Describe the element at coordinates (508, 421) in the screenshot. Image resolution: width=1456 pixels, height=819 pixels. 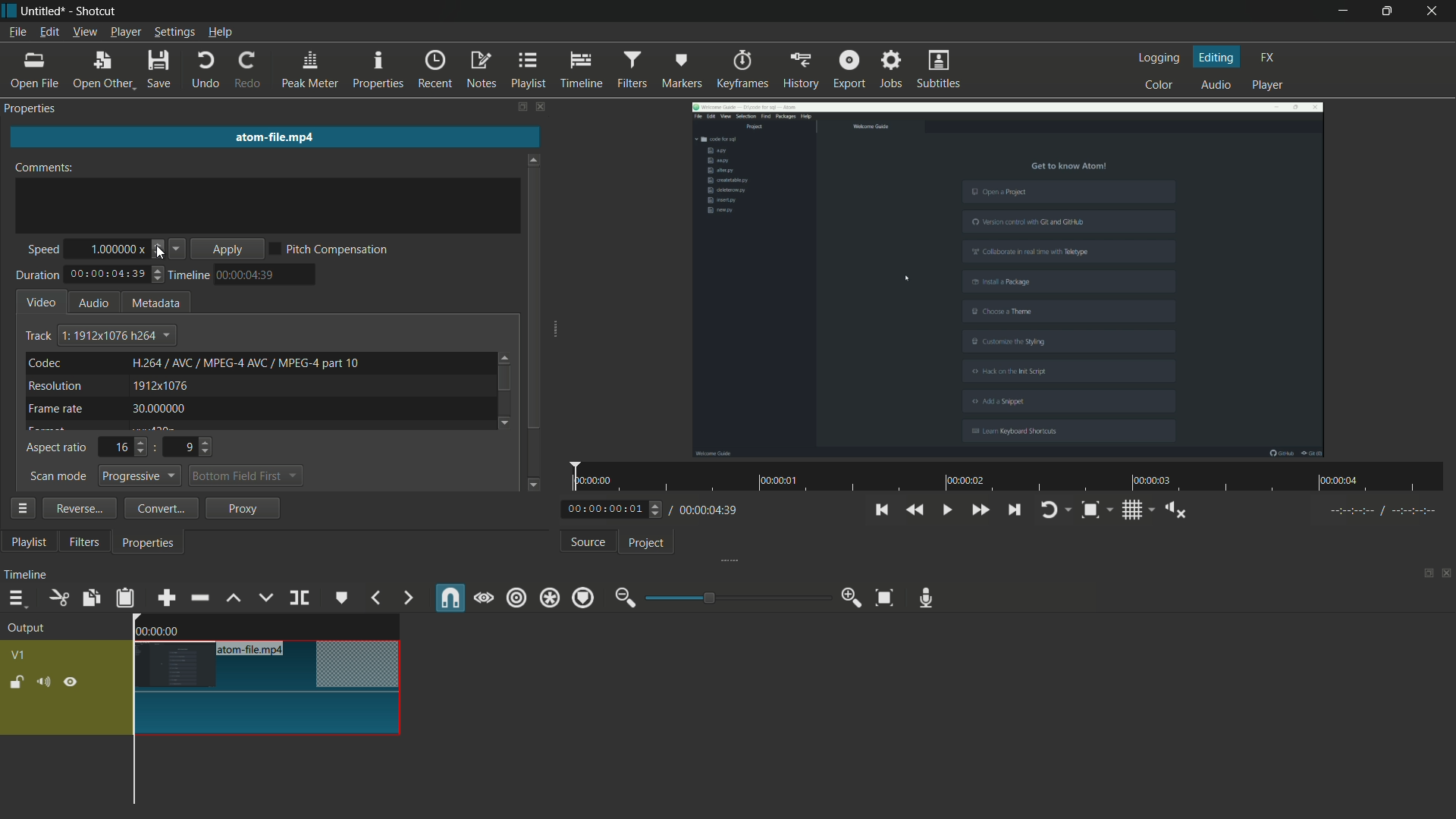
I see `go down` at that location.